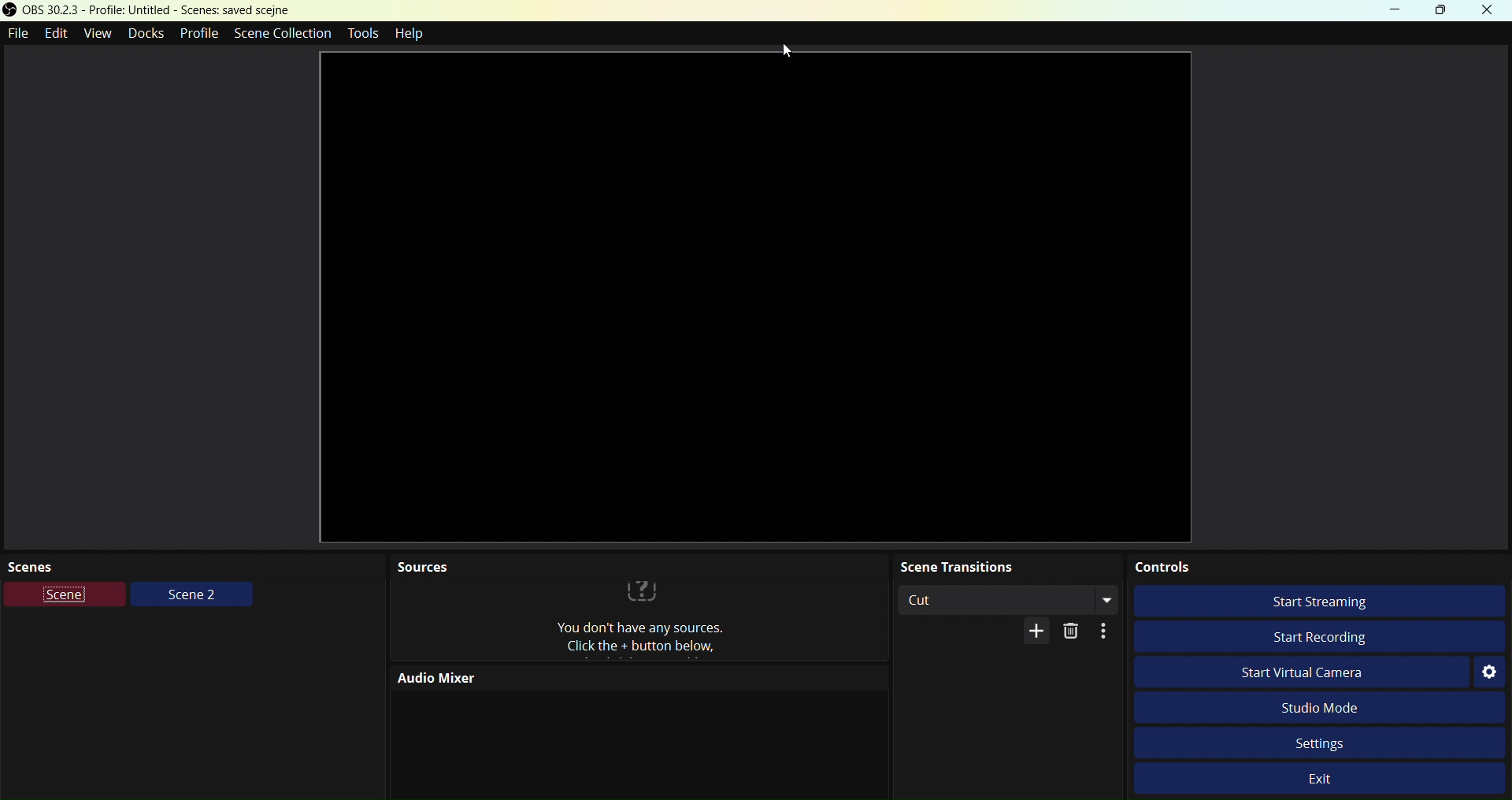  I want to click on Sources, so click(421, 568).